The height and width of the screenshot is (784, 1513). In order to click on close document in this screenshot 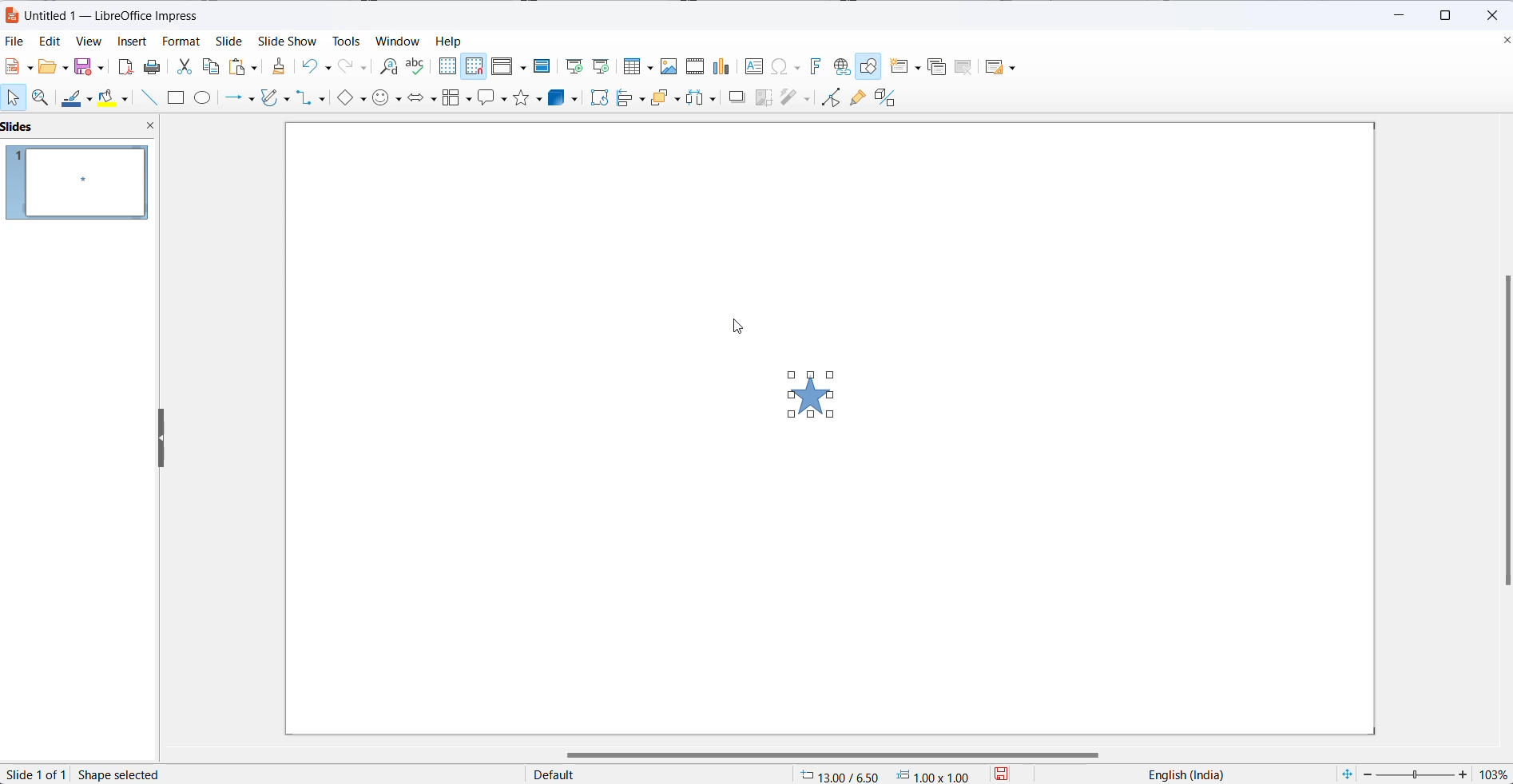, I will do `click(1503, 42)`.